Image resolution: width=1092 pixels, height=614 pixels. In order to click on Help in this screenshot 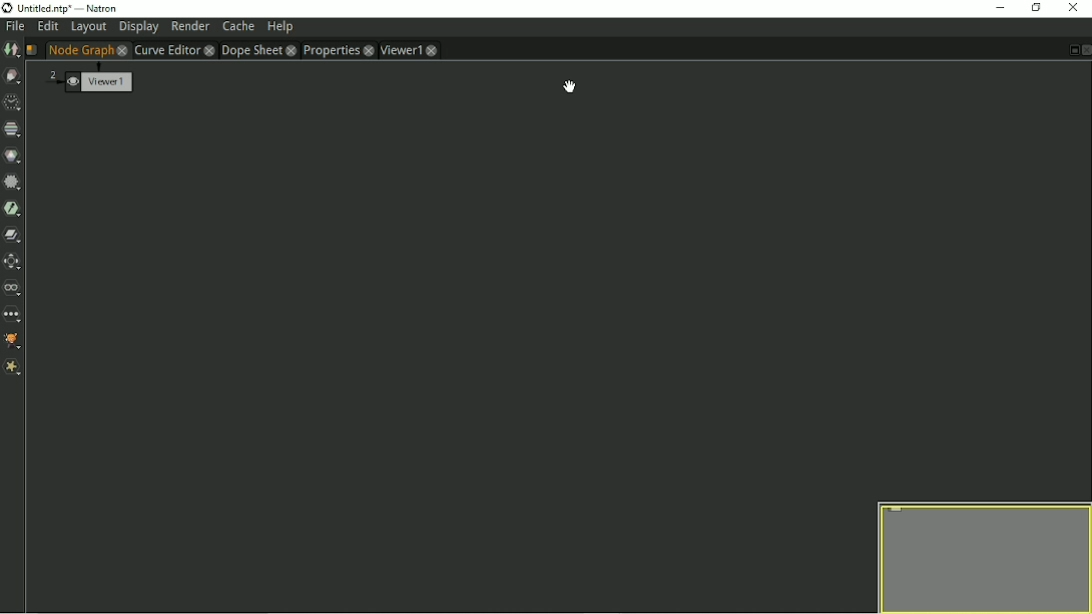, I will do `click(280, 28)`.